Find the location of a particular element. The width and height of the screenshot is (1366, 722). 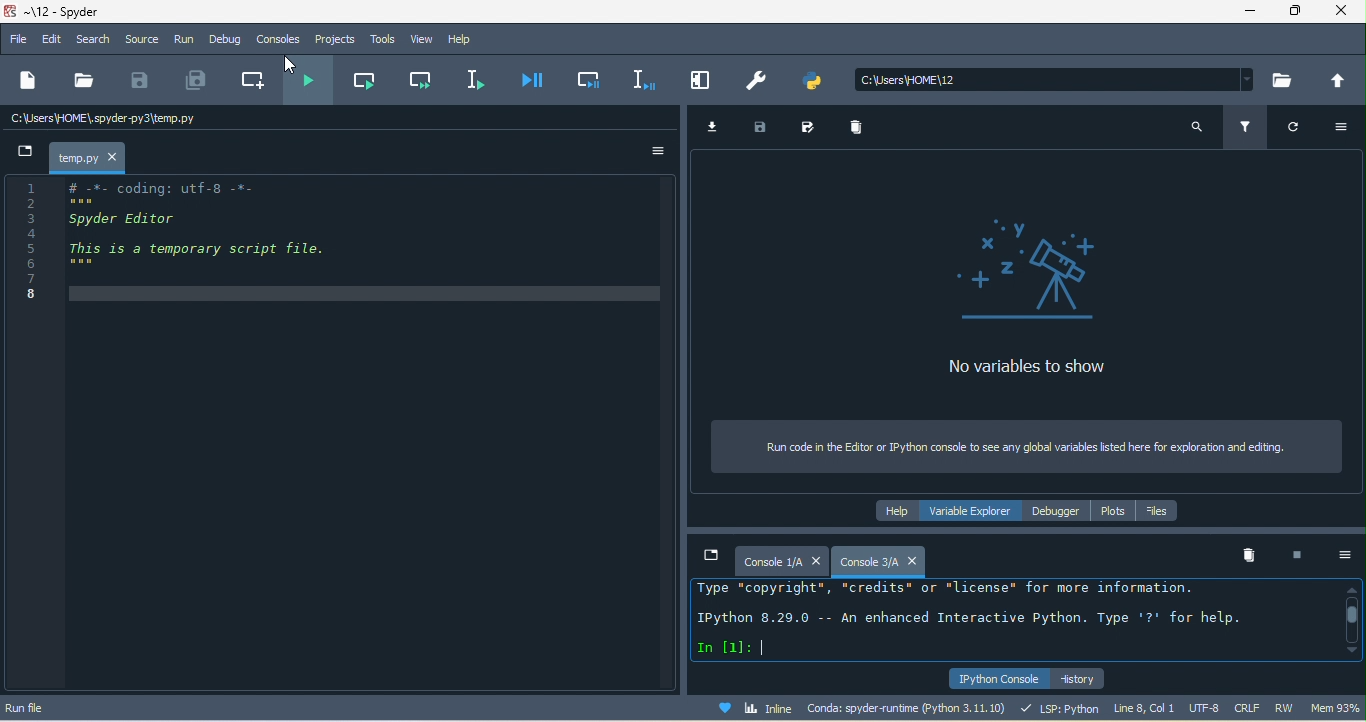

lsp python is located at coordinates (1061, 707).